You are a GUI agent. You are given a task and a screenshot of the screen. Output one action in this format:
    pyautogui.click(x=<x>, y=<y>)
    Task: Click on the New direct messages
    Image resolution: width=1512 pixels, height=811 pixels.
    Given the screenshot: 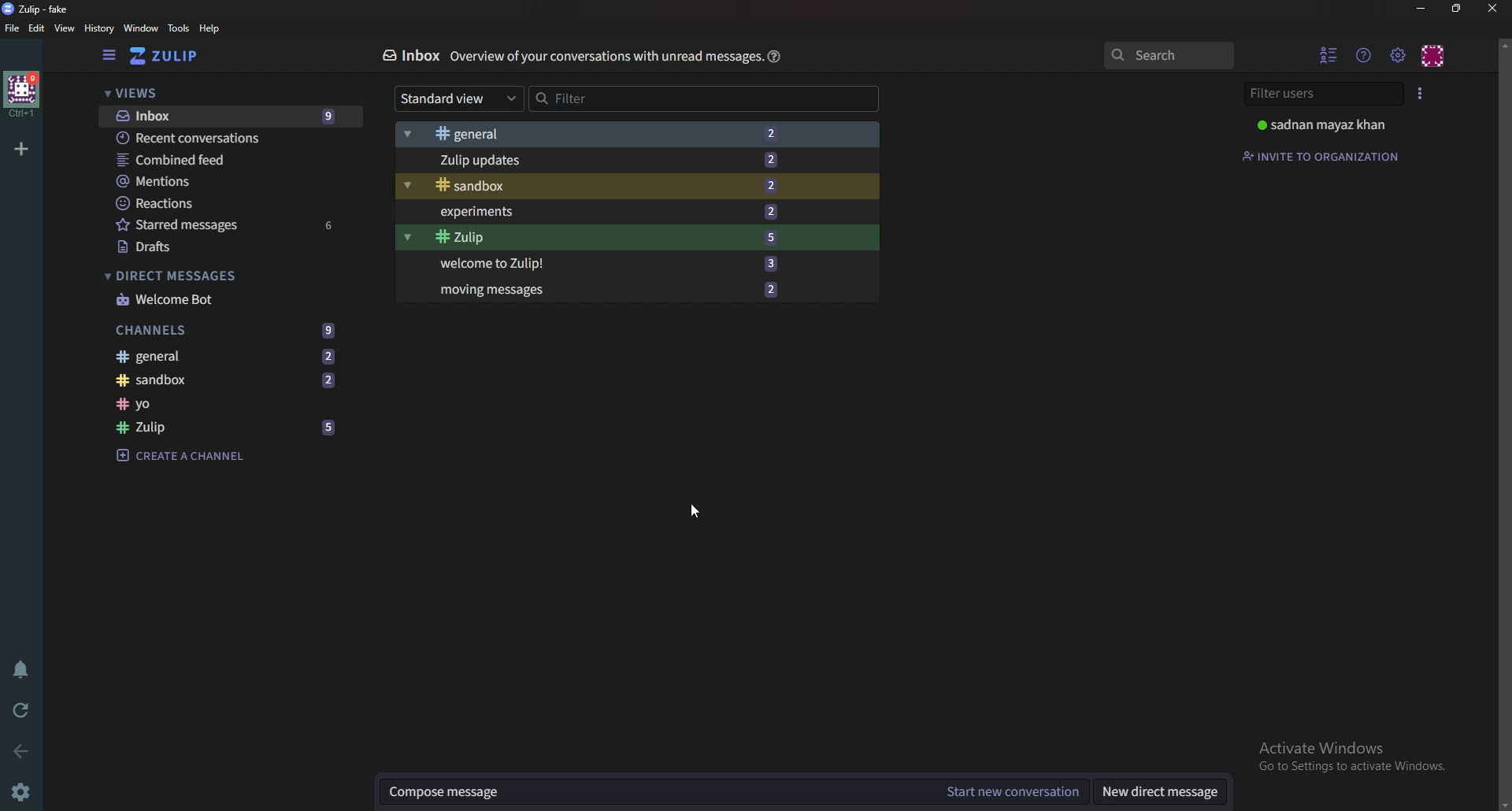 What is the action you would take?
    pyautogui.click(x=1161, y=793)
    